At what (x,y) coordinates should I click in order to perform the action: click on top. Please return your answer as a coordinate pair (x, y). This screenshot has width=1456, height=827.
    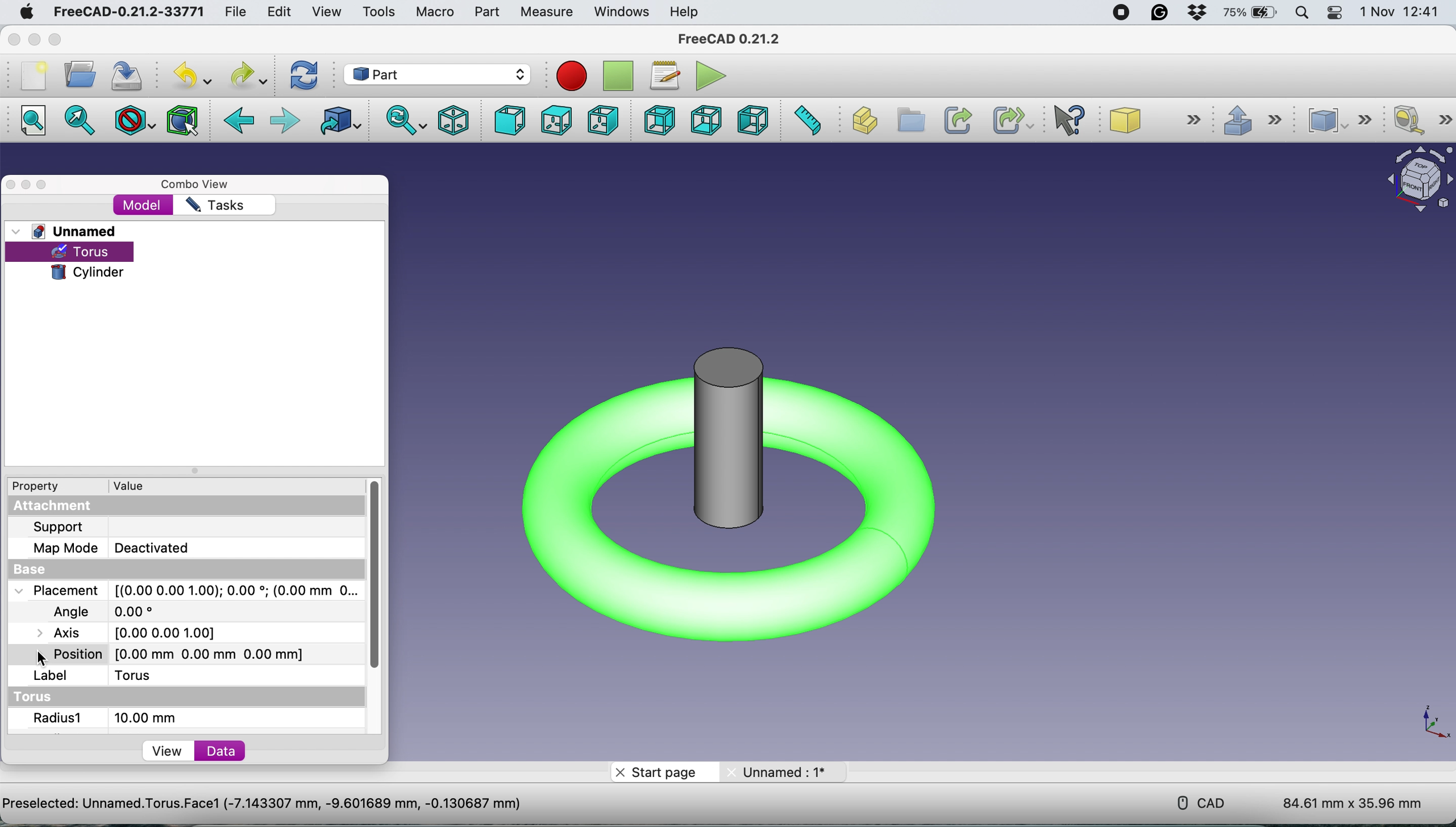
    Looking at the image, I should click on (556, 122).